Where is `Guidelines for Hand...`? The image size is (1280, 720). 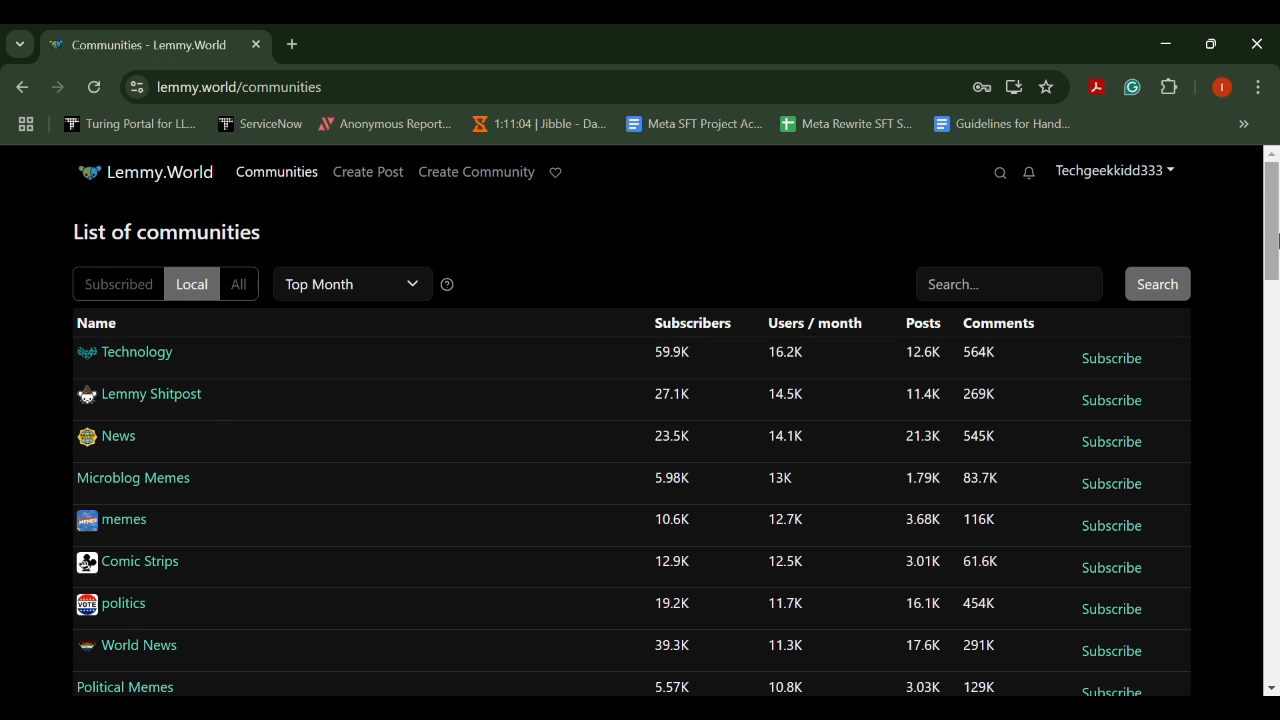
Guidelines for Hand... is located at coordinates (1000, 124).